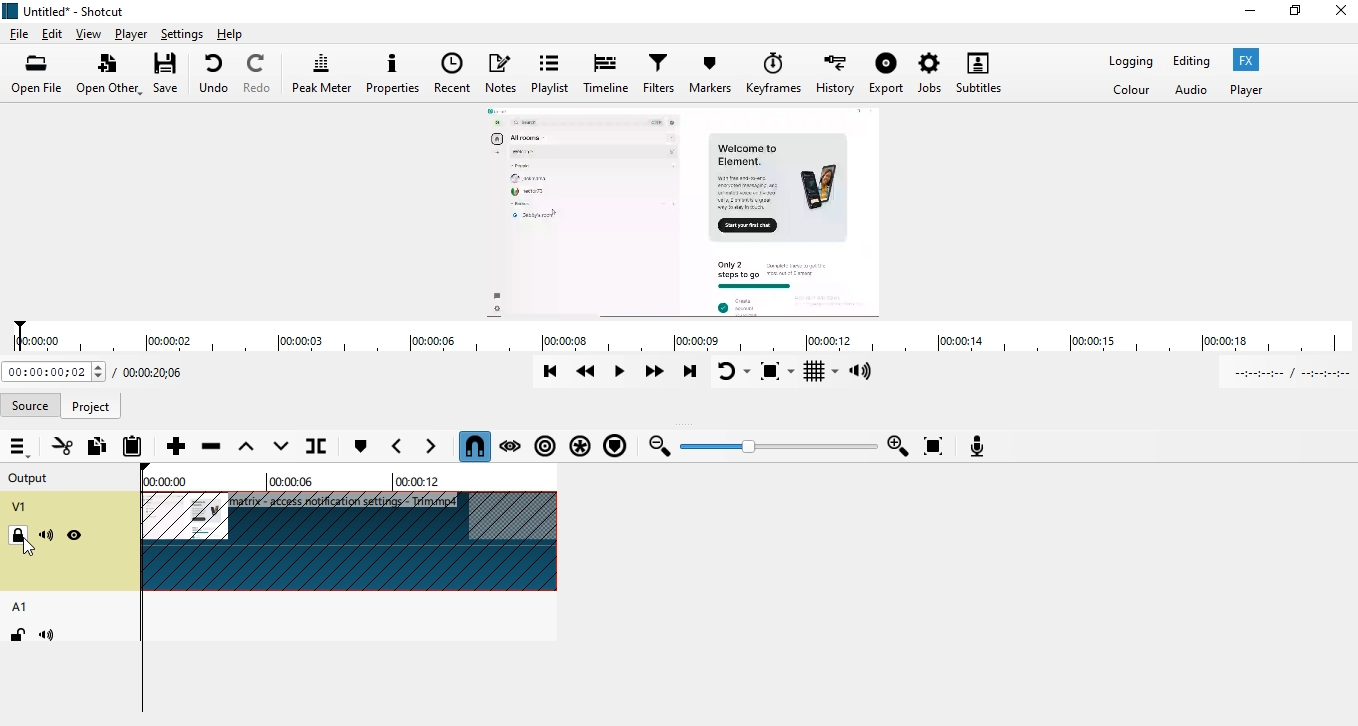 The image size is (1358, 726). I want to click on help, so click(245, 34).